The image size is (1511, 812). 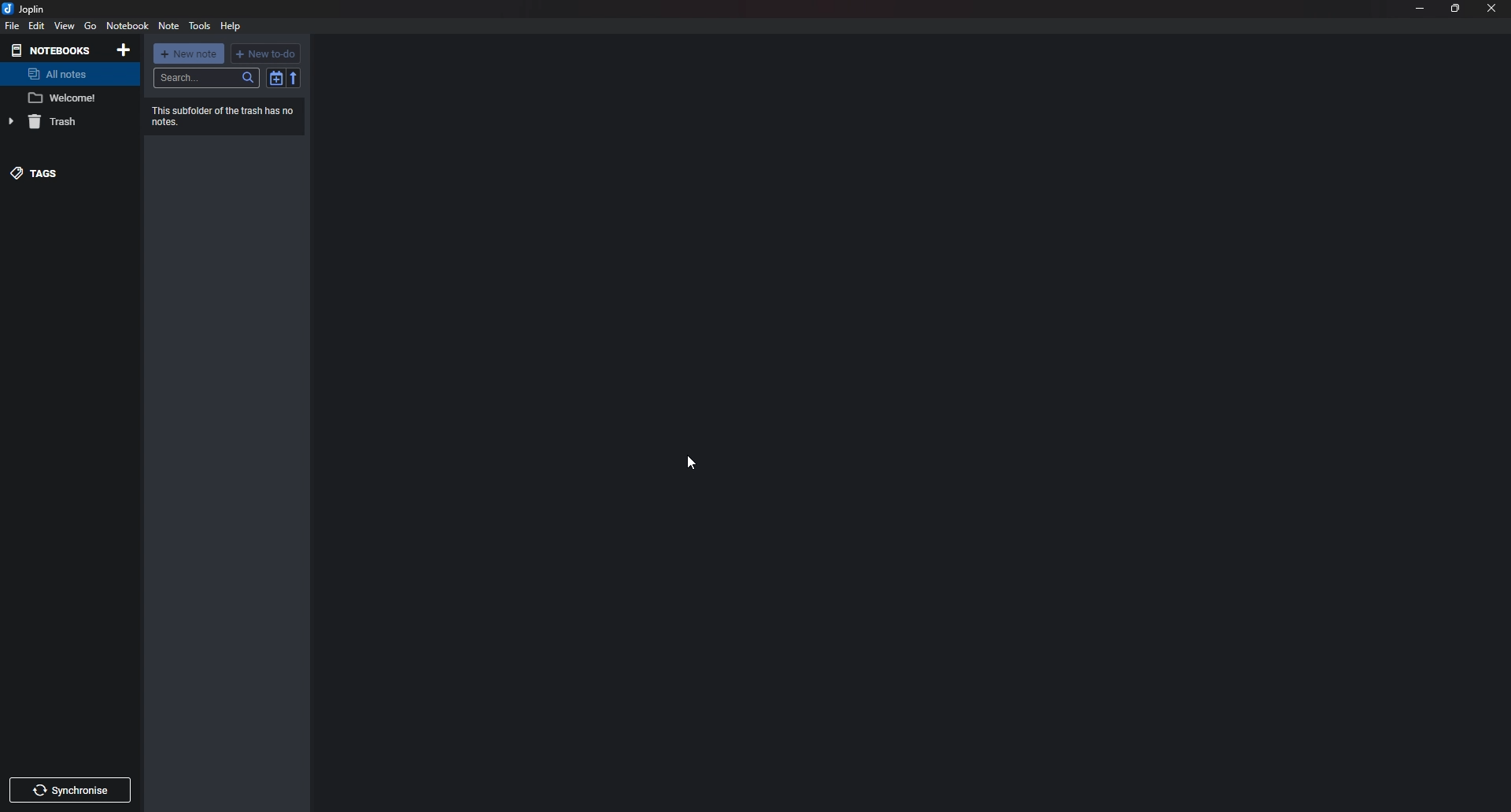 I want to click on Notebooks, so click(x=50, y=50).